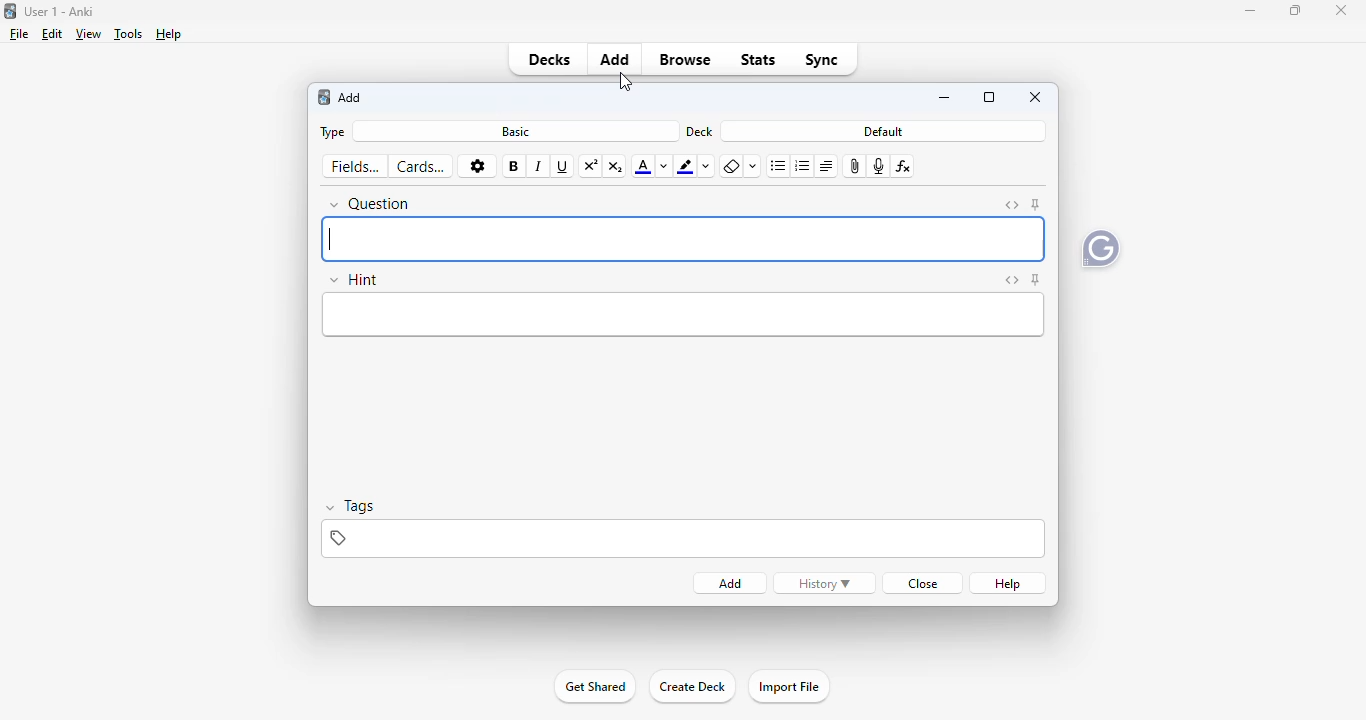 The image size is (1366, 720). I want to click on help, so click(170, 34).